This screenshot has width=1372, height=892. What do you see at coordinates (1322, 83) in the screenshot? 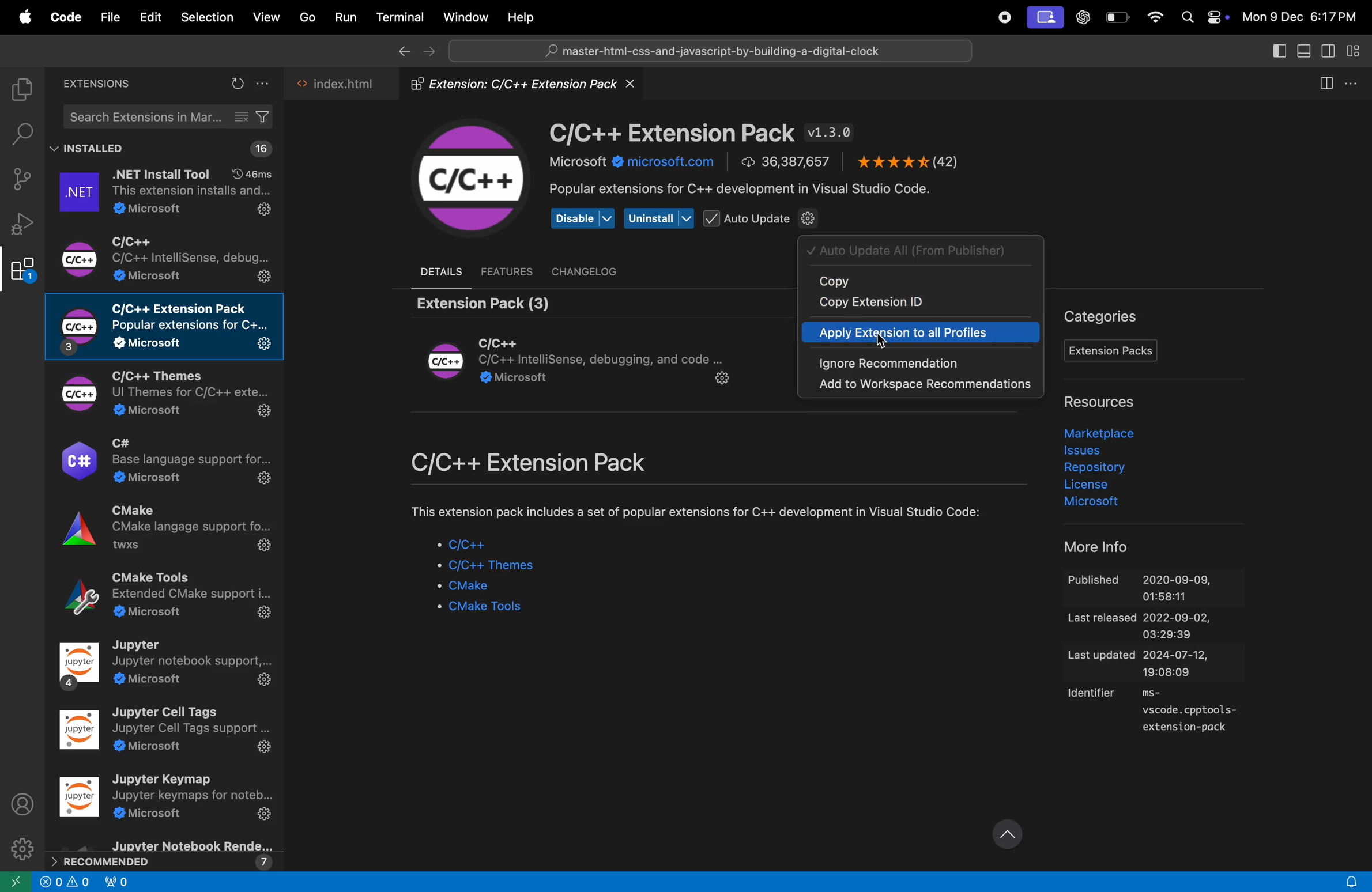
I see `split editor` at bounding box center [1322, 83].